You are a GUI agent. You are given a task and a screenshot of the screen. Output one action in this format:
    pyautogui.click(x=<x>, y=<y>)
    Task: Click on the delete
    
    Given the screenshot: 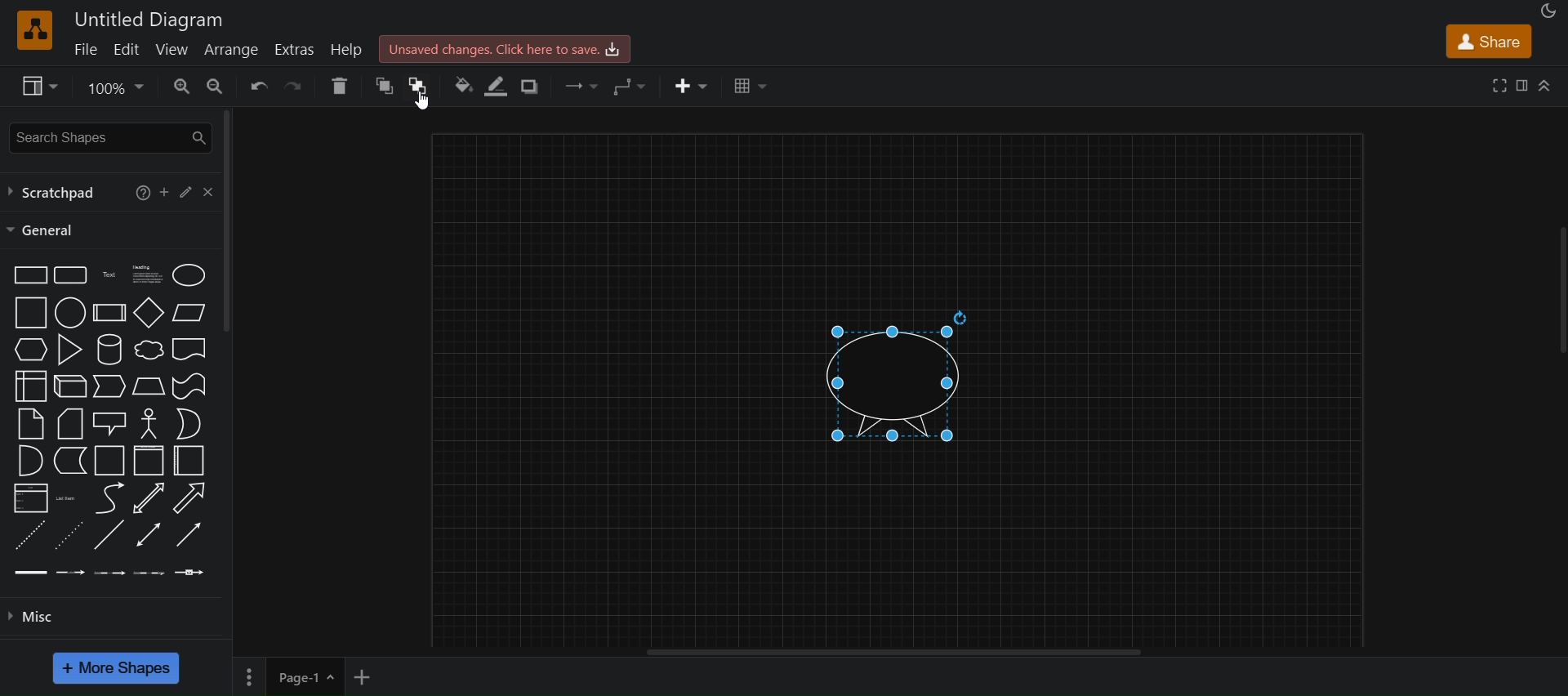 What is the action you would take?
    pyautogui.click(x=341, y=86)
    